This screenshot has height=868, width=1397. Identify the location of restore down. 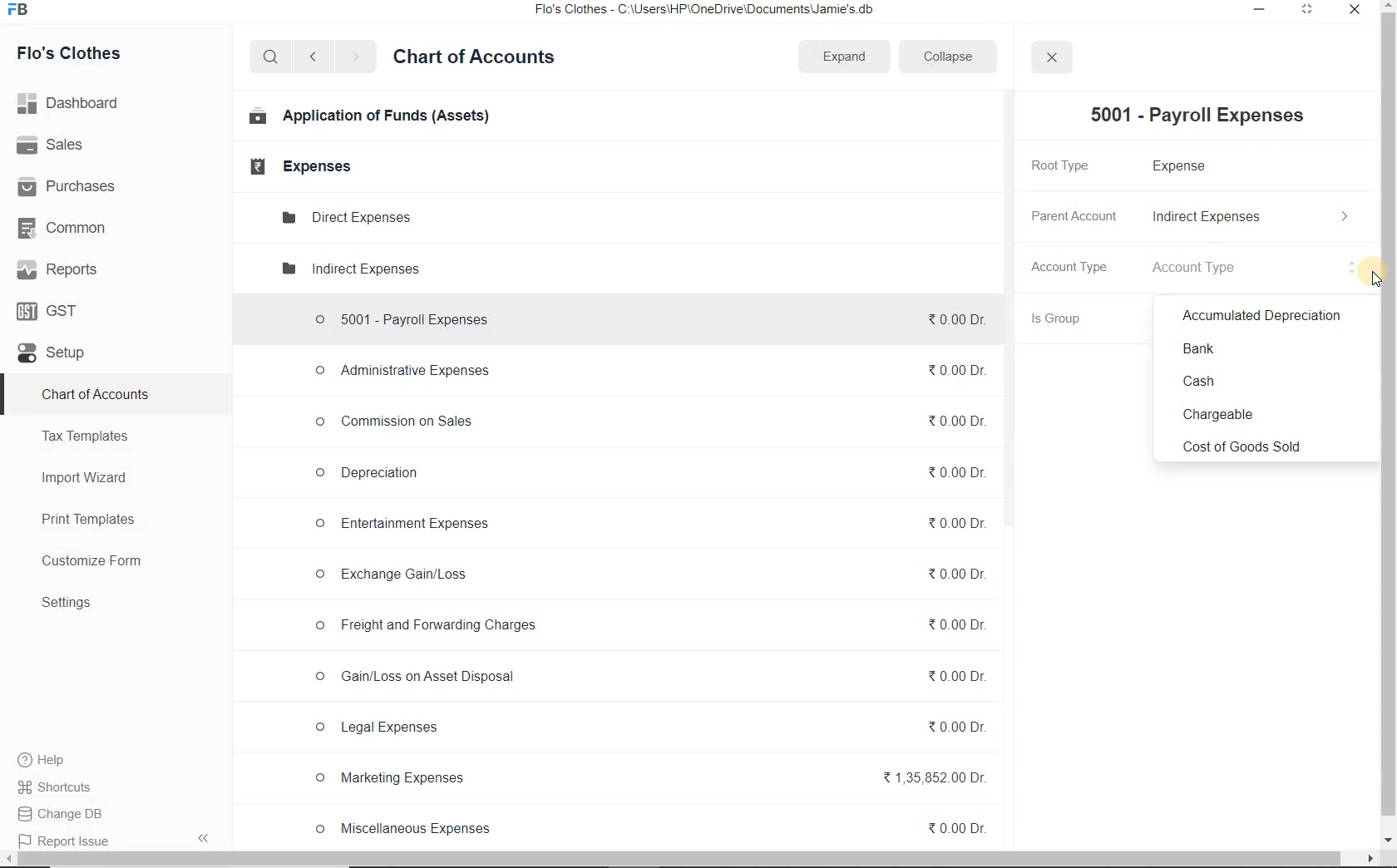
(1308, 11).